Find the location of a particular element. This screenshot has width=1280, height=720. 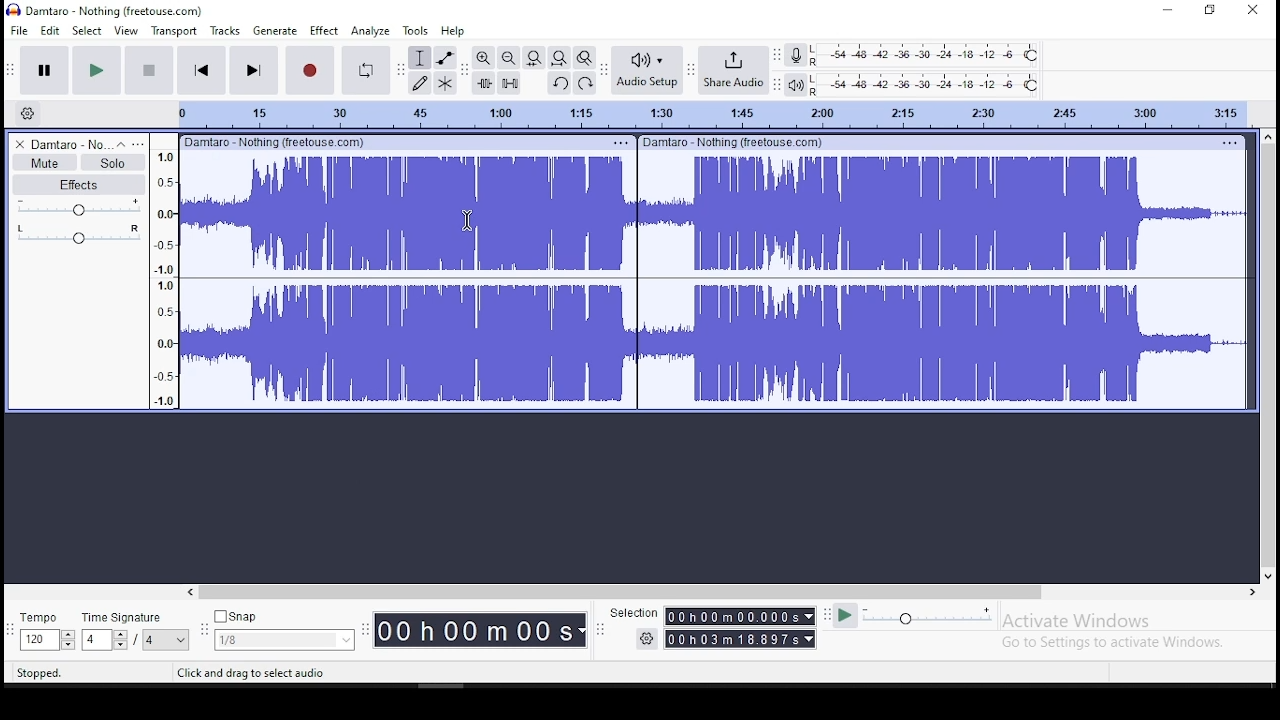

restore is located at coordinates (1210, 11).